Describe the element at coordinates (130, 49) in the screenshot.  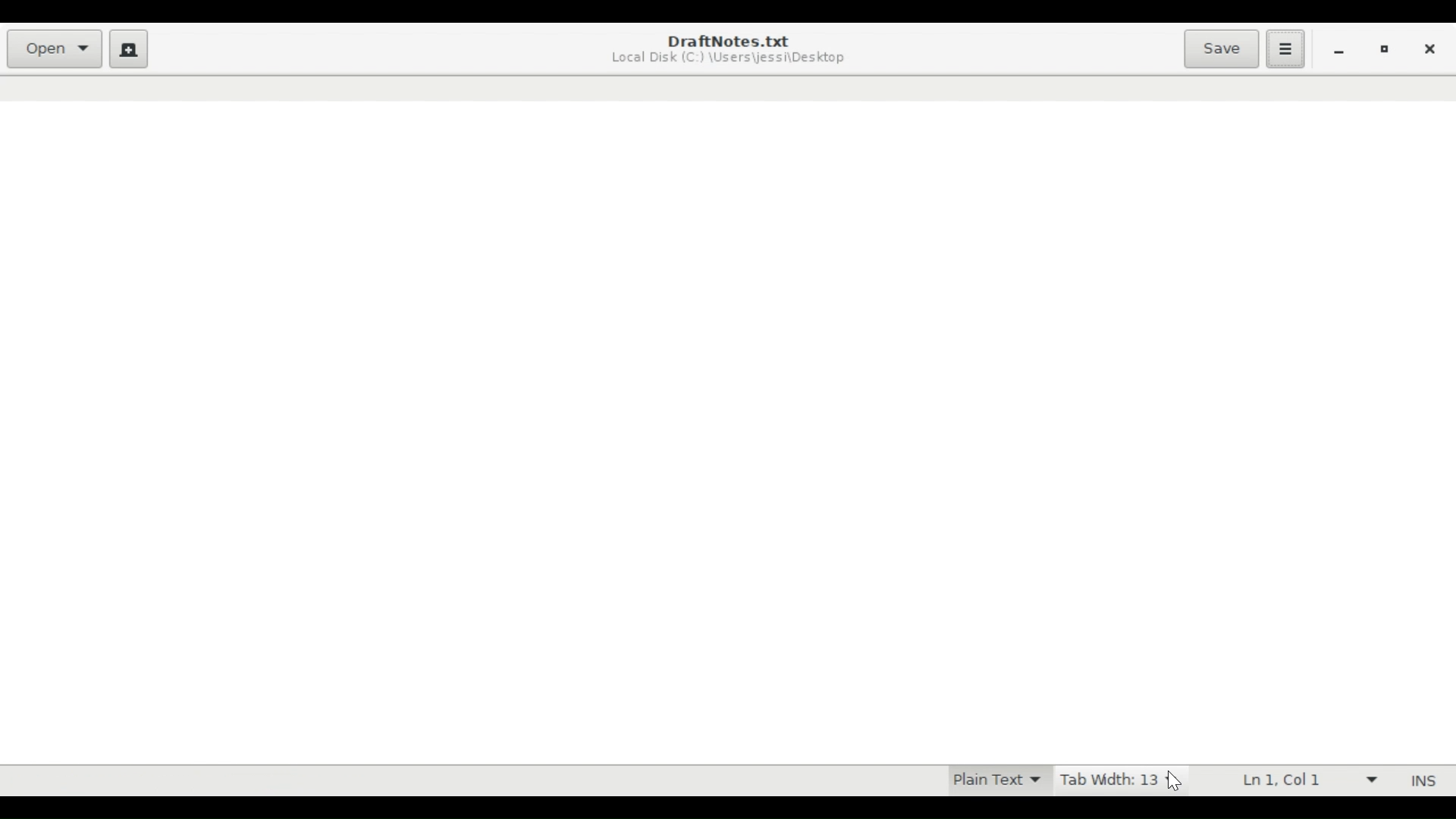
I see `Create a new document` at that location.